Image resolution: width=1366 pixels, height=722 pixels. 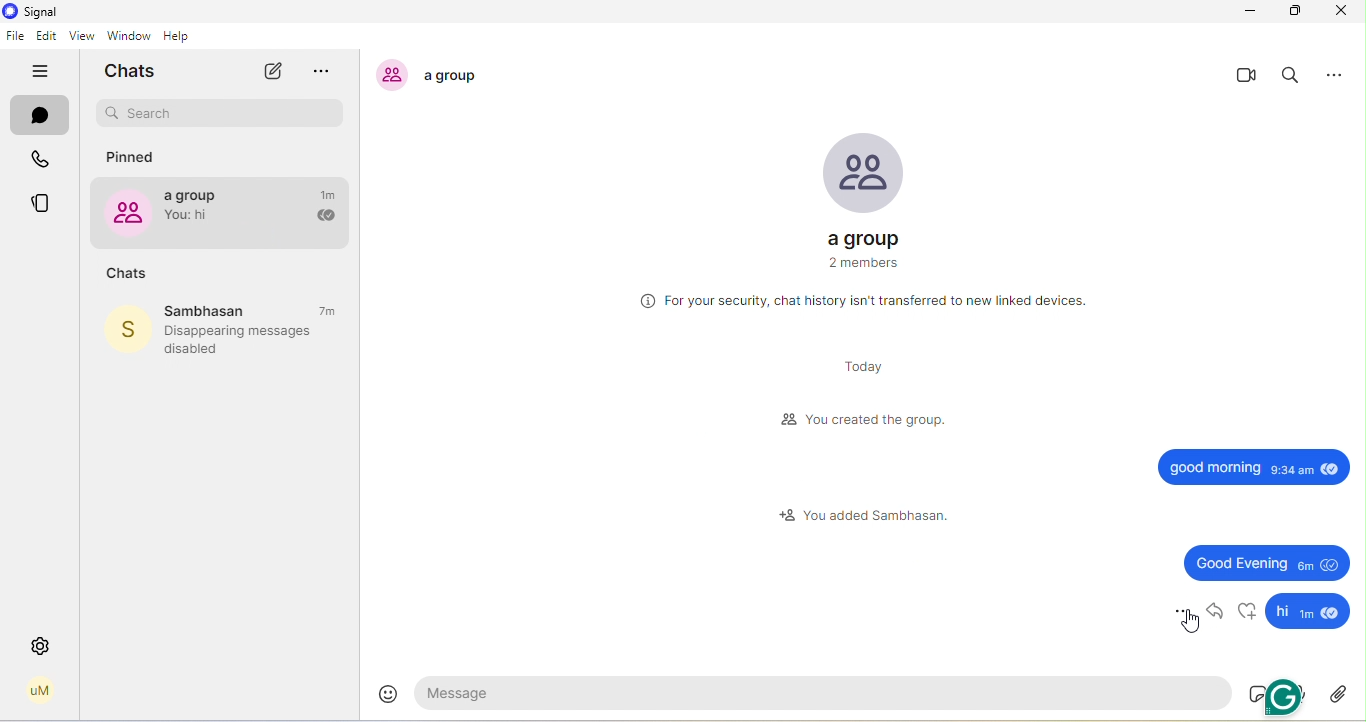 What do you see at coordinates (33, 12) in the screenshot?
I see `signal` at bounding box center [33, 12].